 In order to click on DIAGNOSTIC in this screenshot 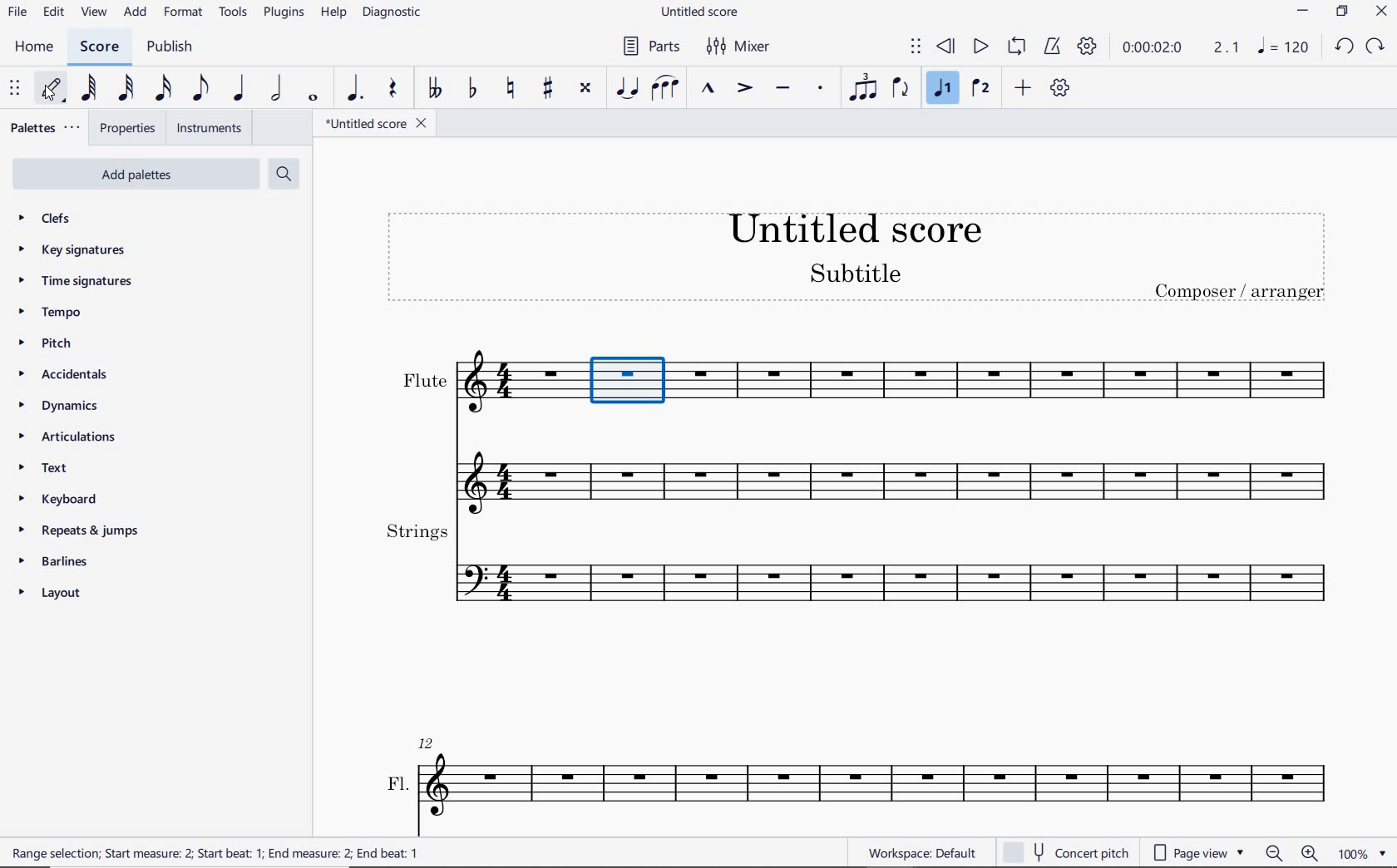, I will do `click(394, 13)`.